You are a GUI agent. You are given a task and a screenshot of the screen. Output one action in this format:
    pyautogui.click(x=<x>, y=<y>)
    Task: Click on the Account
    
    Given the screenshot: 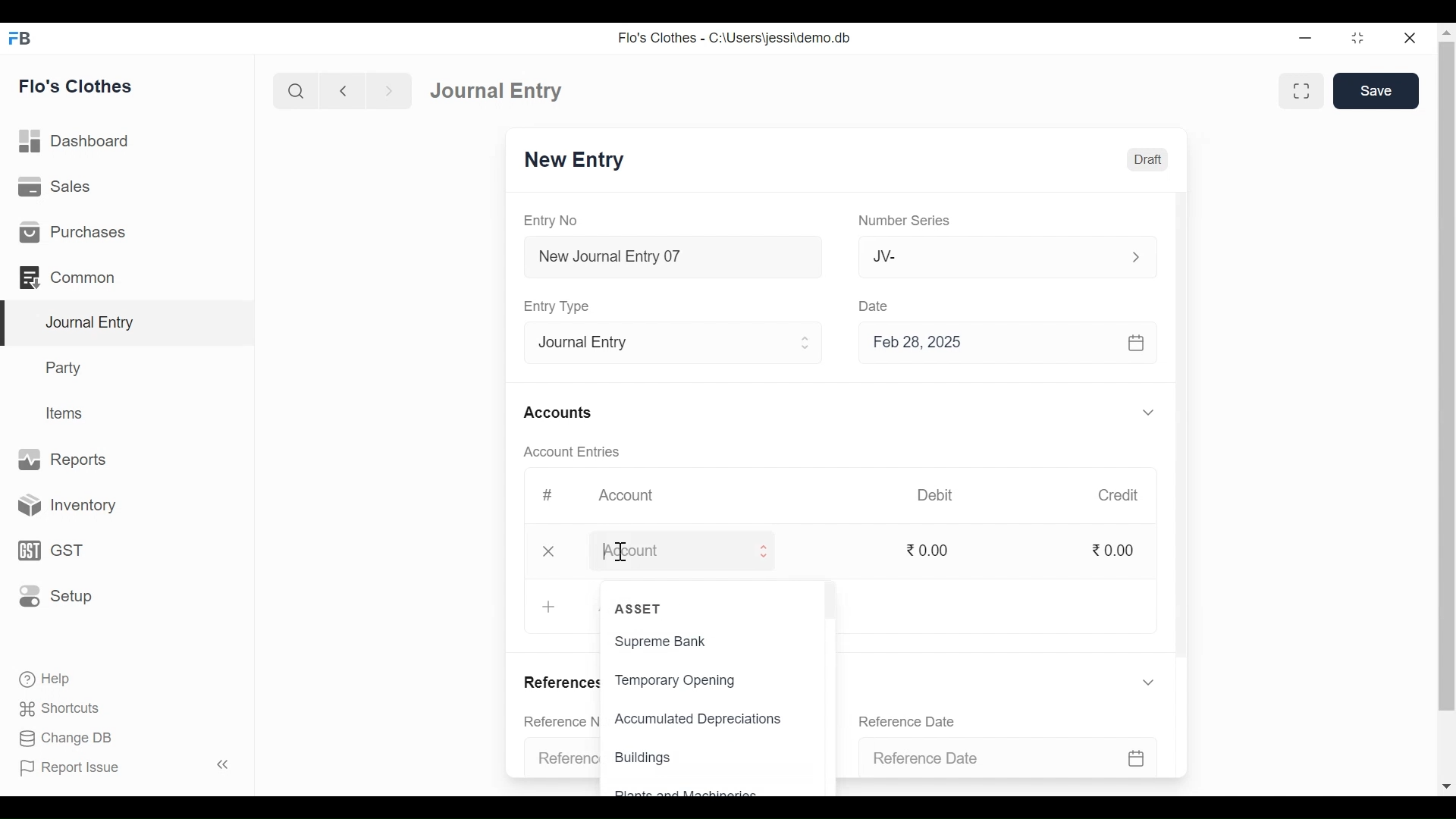 What is the action you would take?
    pyautogui.click(x=676, y=555)
    